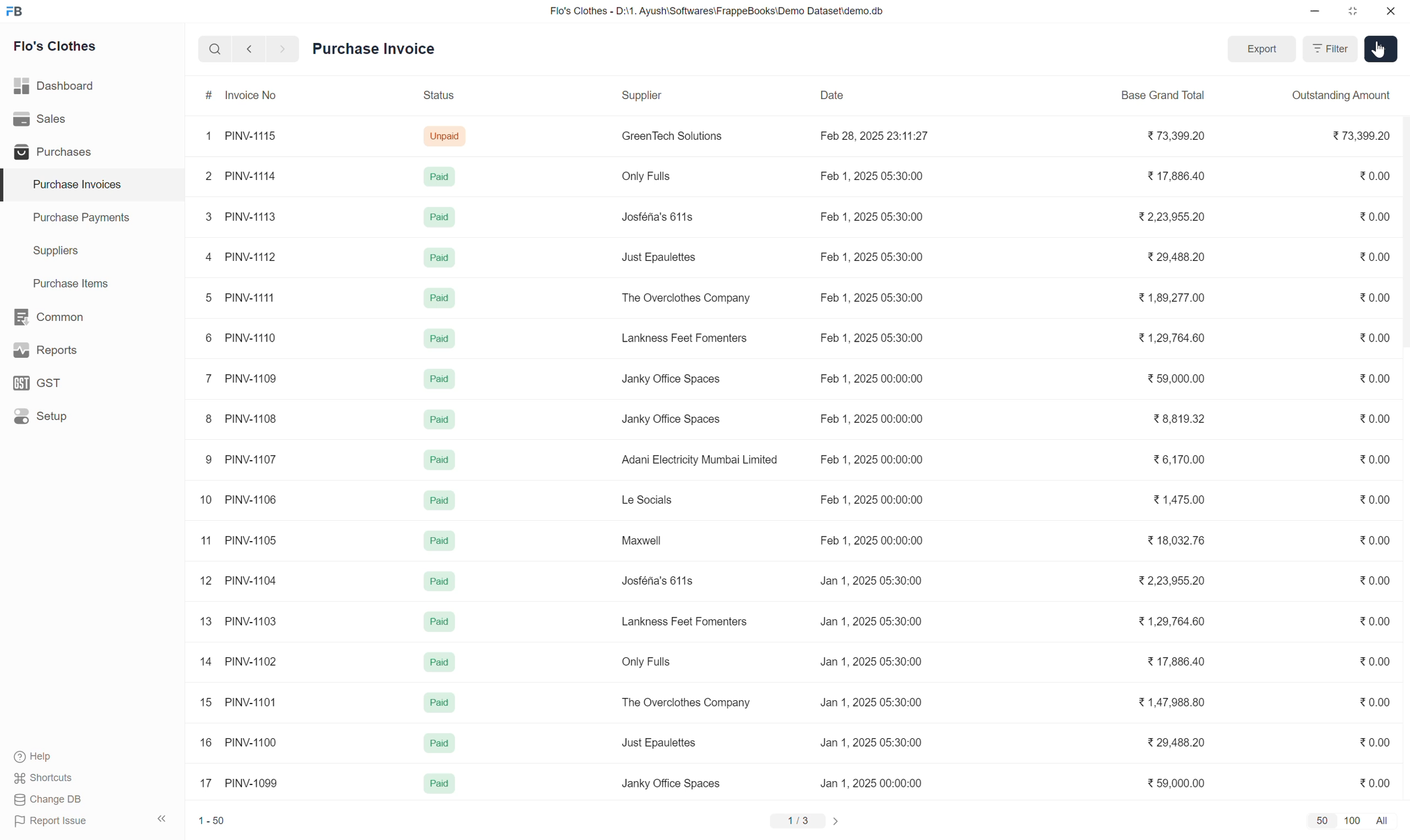 This screenshot has height=840, width=1410. I want to click on 373,399.20, so click(1174, 135).